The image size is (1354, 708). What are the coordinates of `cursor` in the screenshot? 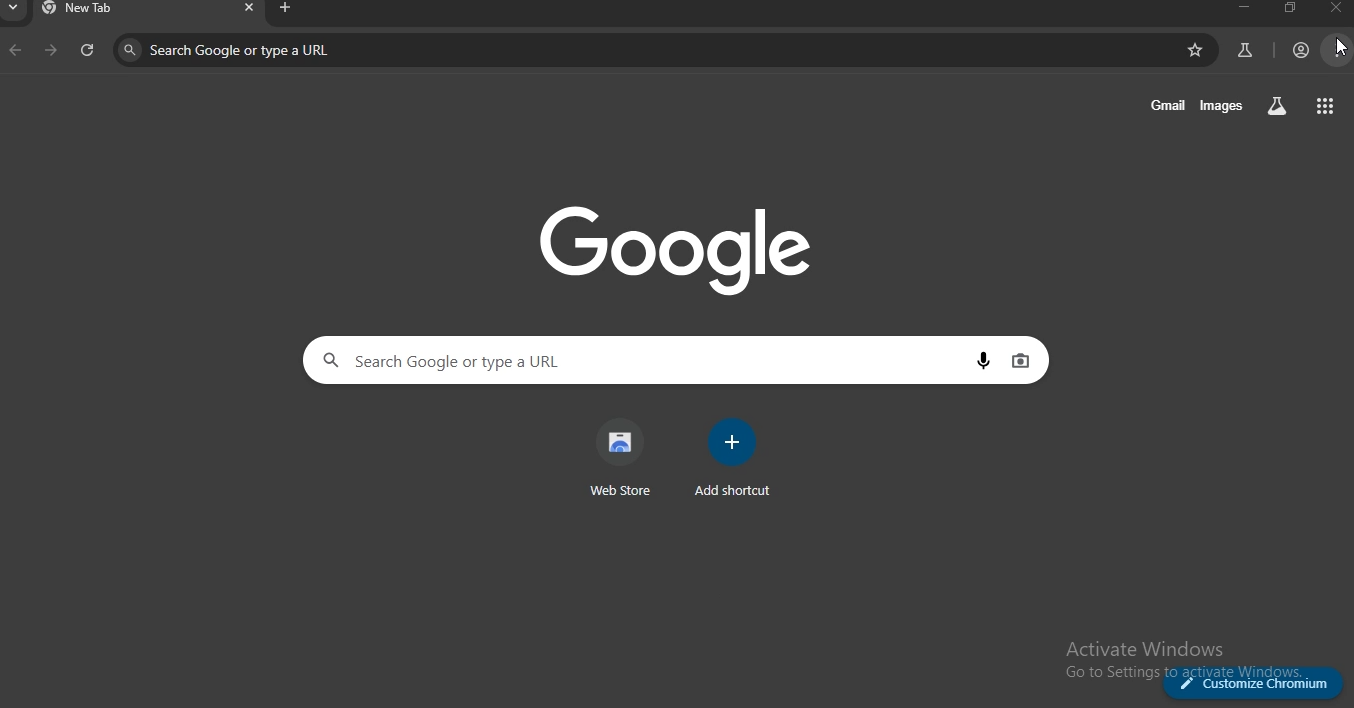 It's located at (1339, 49).